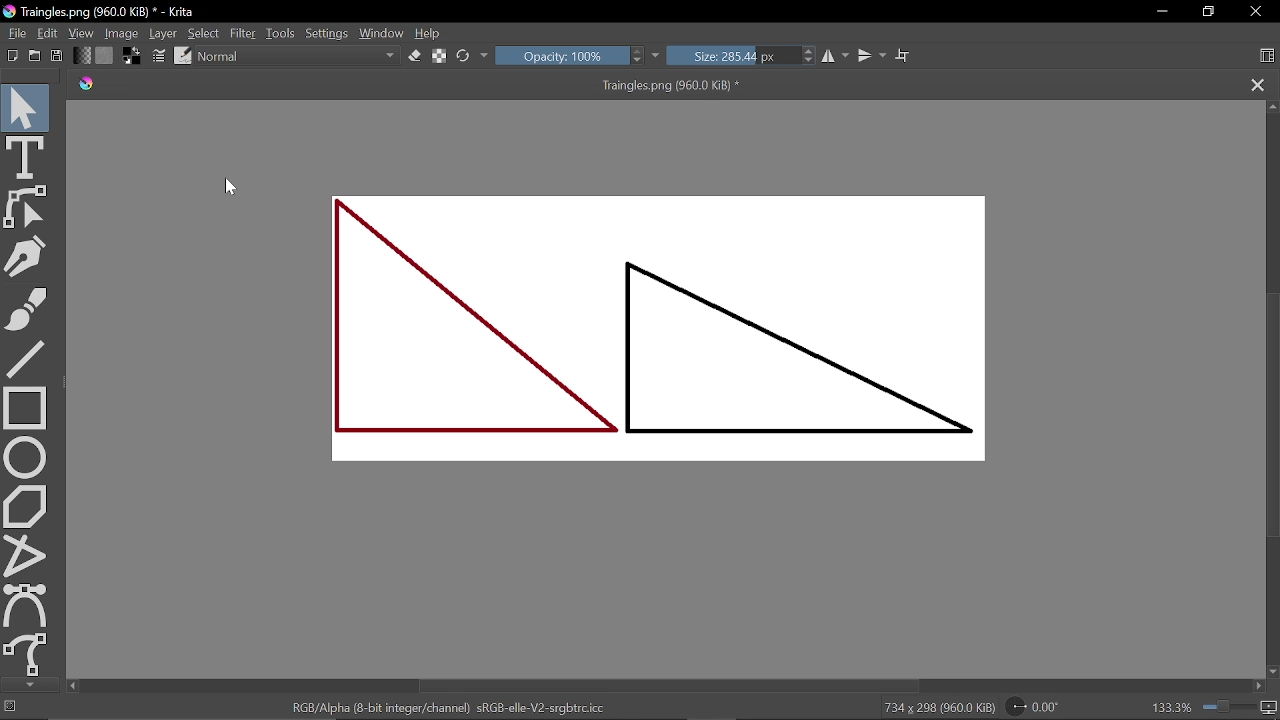  What do you see at coordinates (26, 457) in the screenshot?
I see `Ellipse tool` at bounding box center [26, 457].